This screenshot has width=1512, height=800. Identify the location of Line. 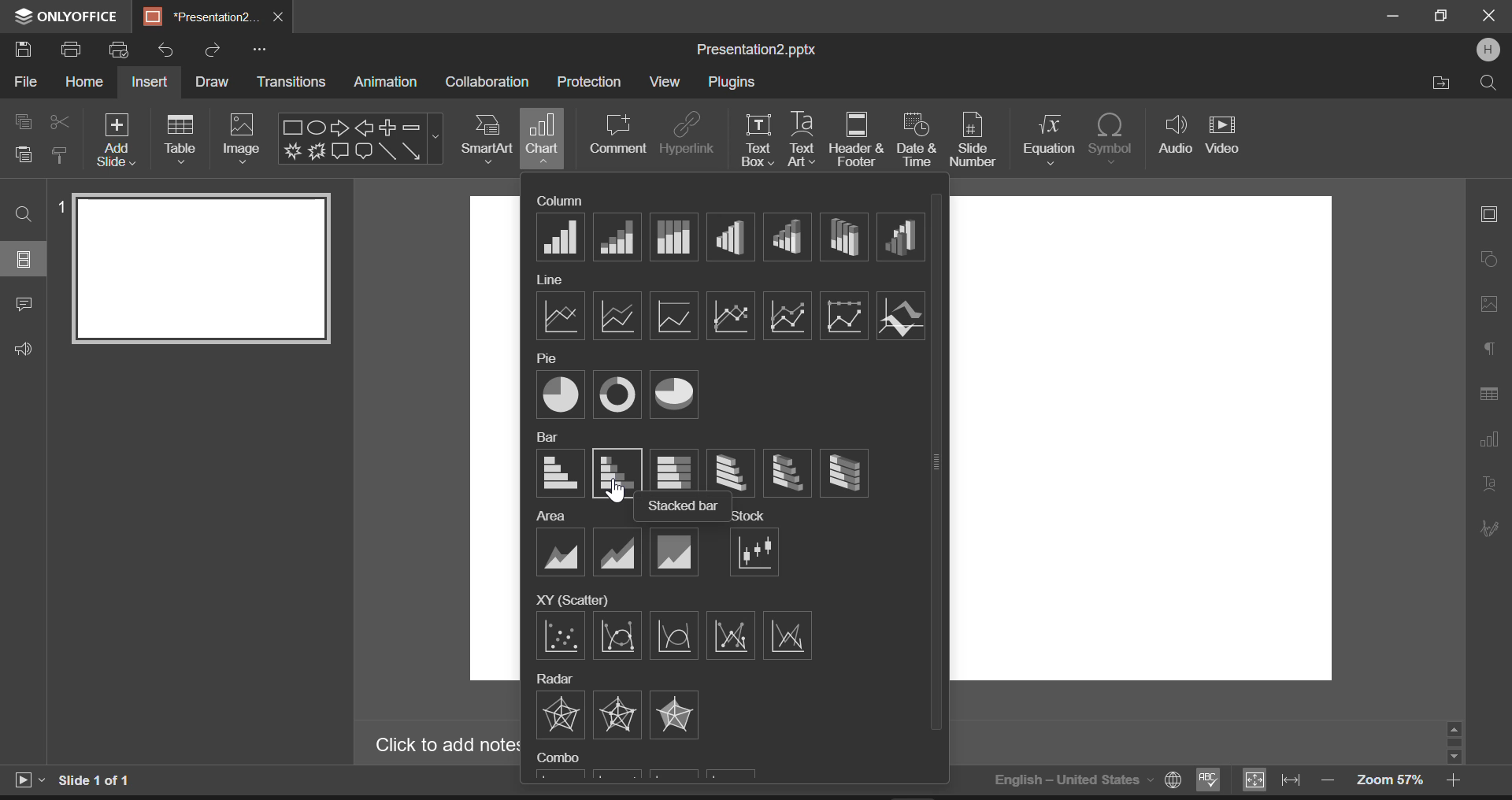
(387, 152).